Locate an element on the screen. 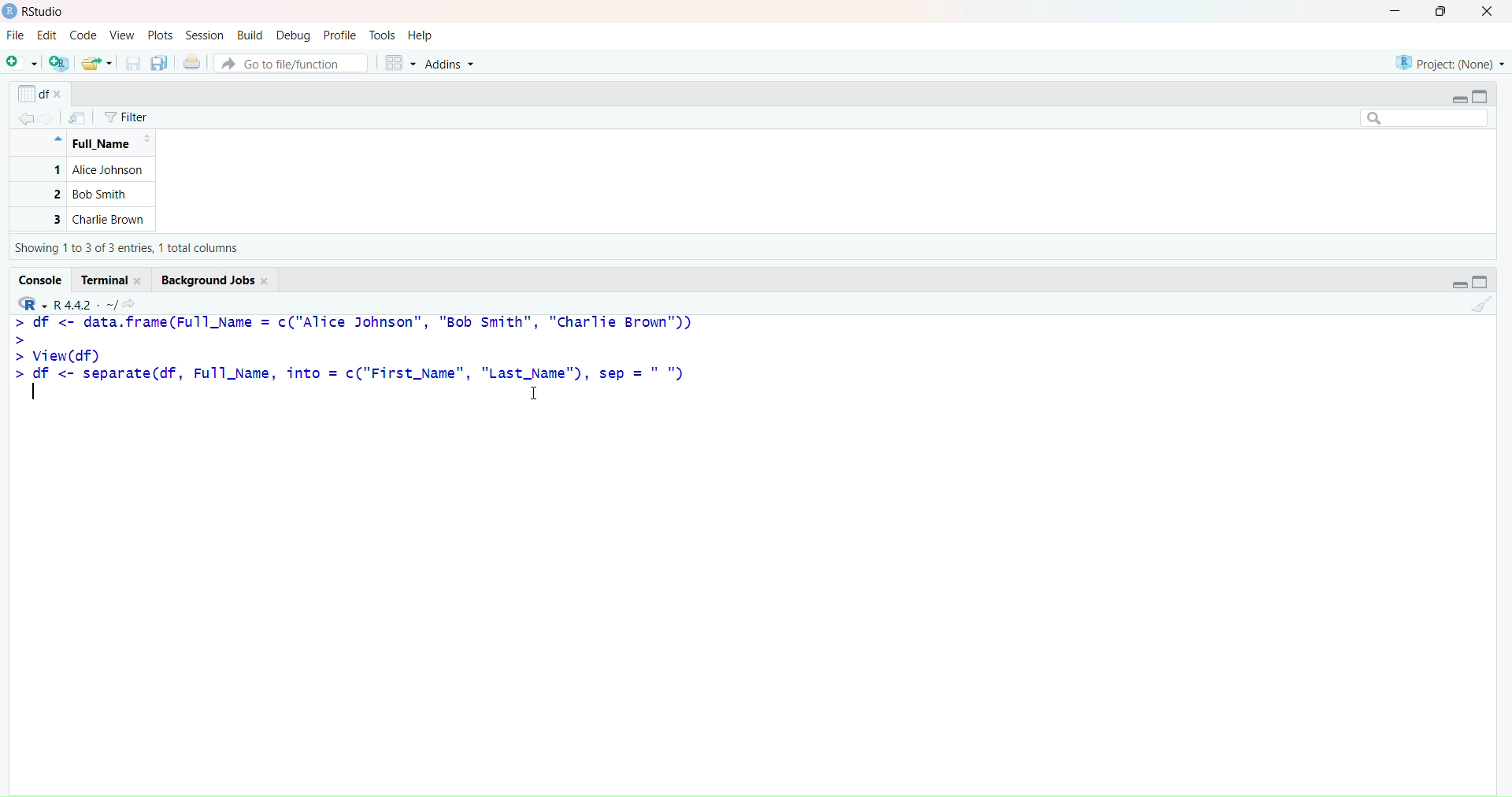  Minimize is located at coordinates (1457, 283).